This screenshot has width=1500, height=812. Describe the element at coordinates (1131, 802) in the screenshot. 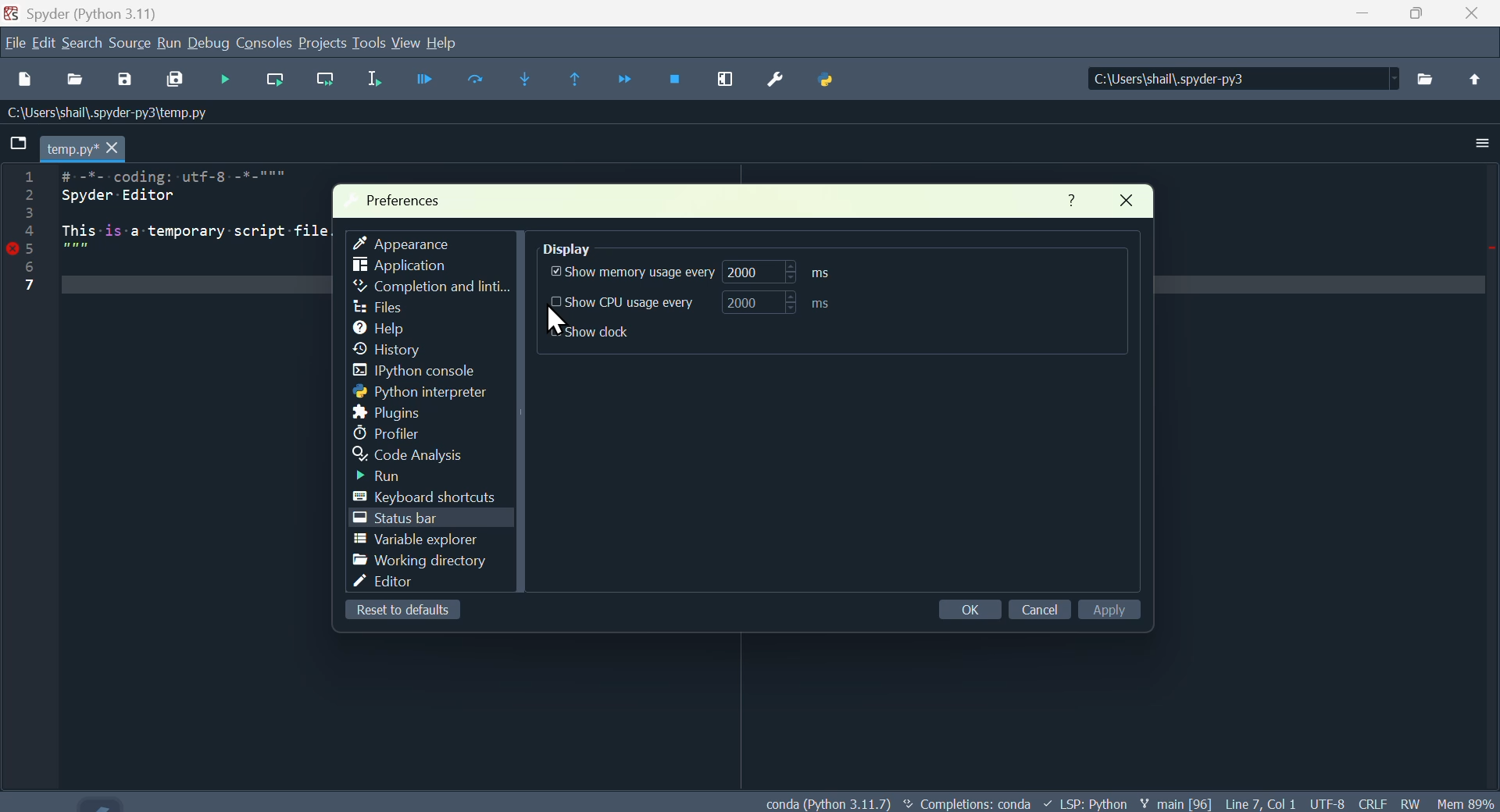

I see `conda (Pvthon 3.11.7) < Completions: conda + LSP: Pvthon ¥ main [96] Line7 Coll UTF-8 CRLF RW Mem 8¢` at that location.